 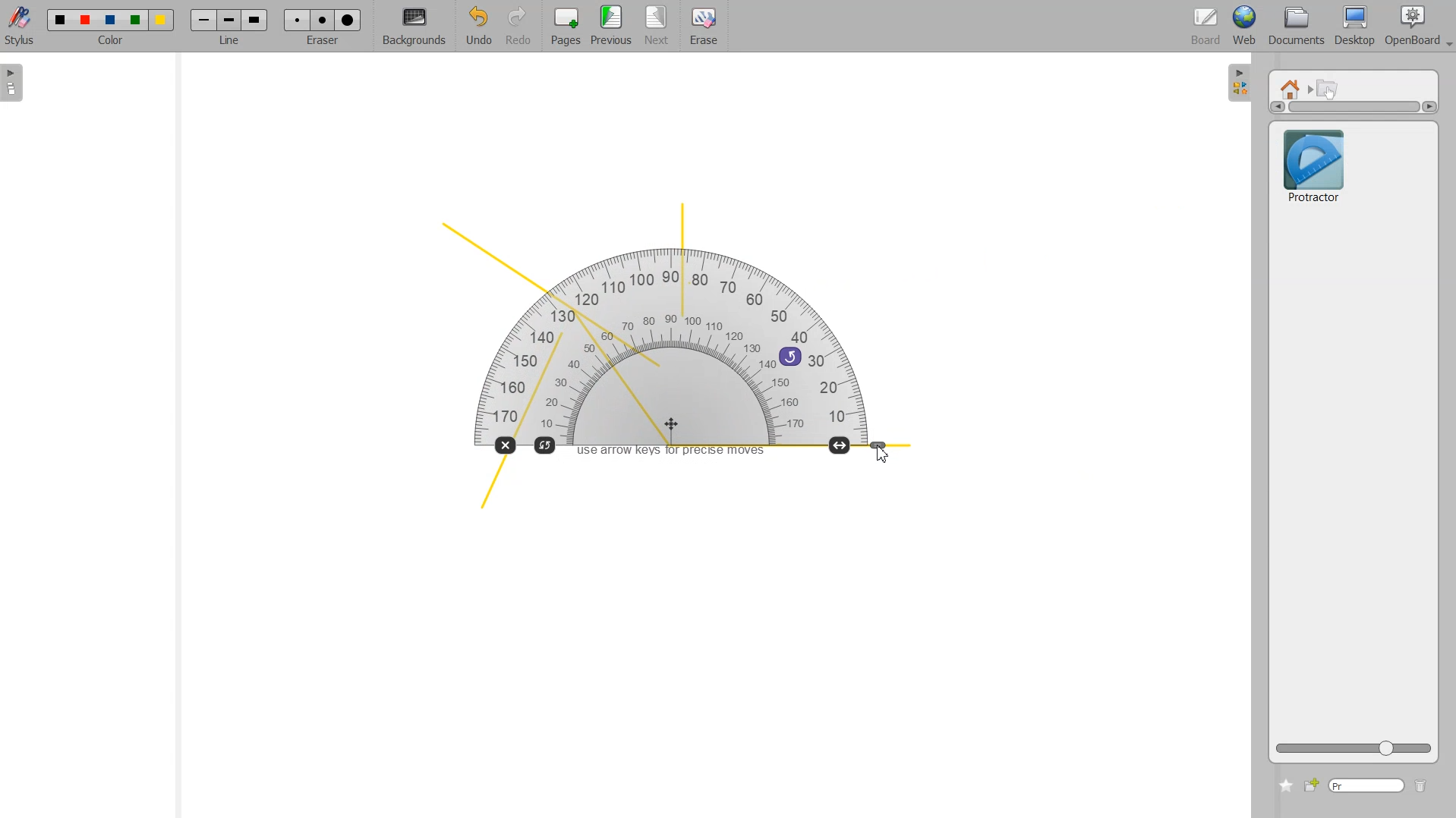 What do you see at coordinates (320, 45) in the screenshot?
I see `eraser` at bounding box center [320, 45].